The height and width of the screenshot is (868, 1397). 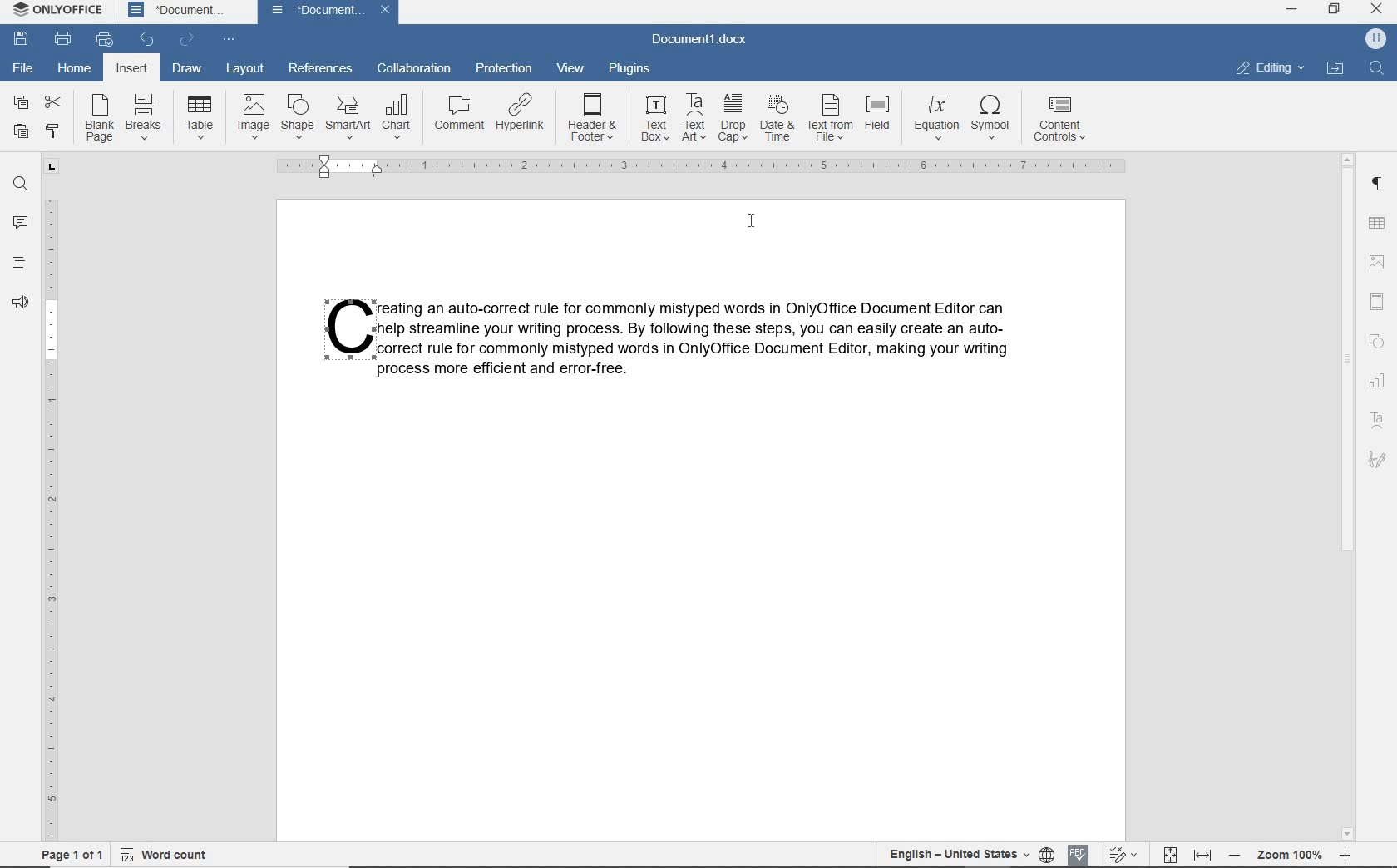 What do you see at coordinates (20, 184) in the screenshot?
I see `find` at bounding box center [20, 184].